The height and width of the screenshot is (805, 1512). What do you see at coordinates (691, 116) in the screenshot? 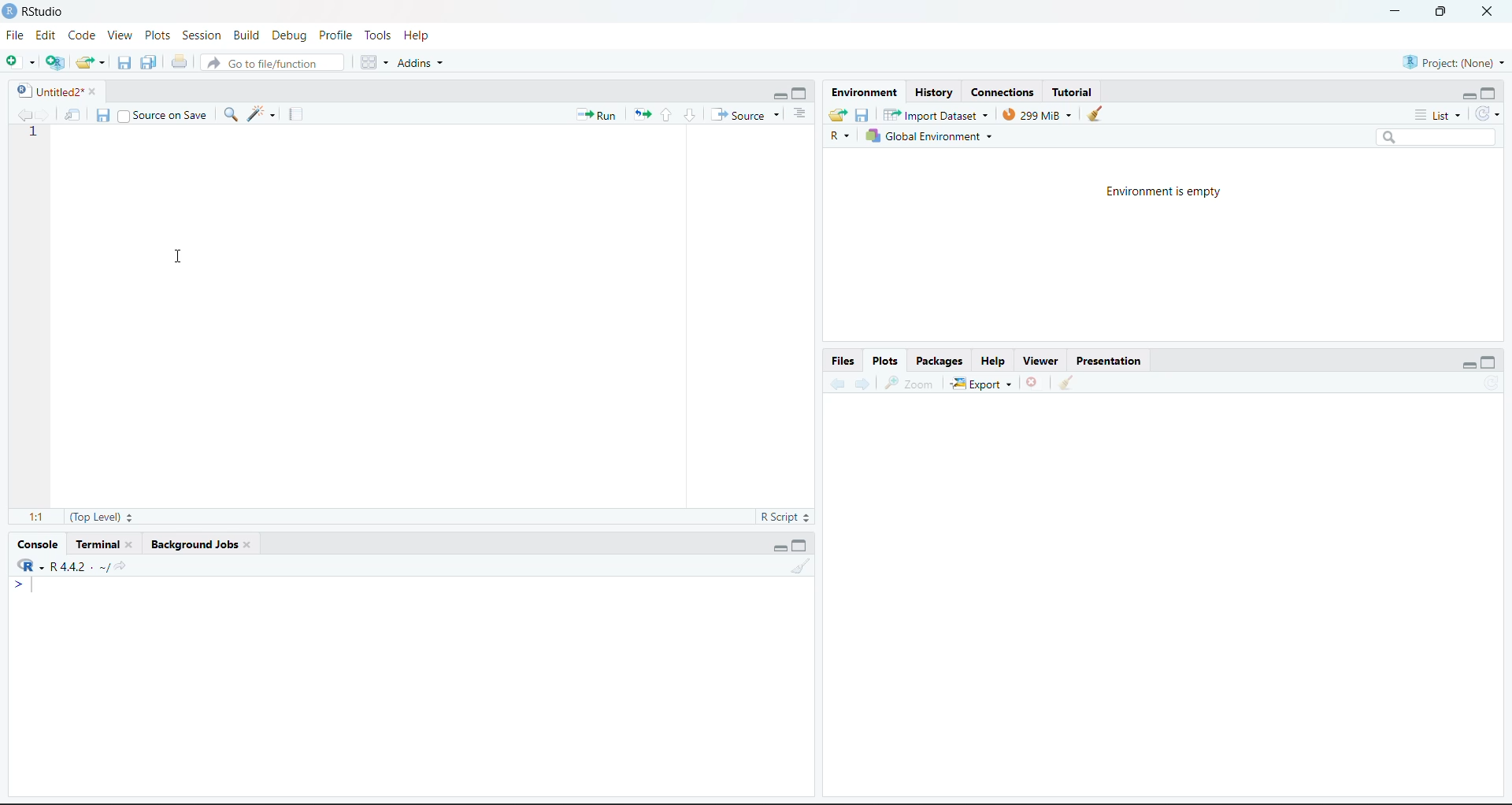
I see `go to next section/chunk` at bounding box center [691, 116].